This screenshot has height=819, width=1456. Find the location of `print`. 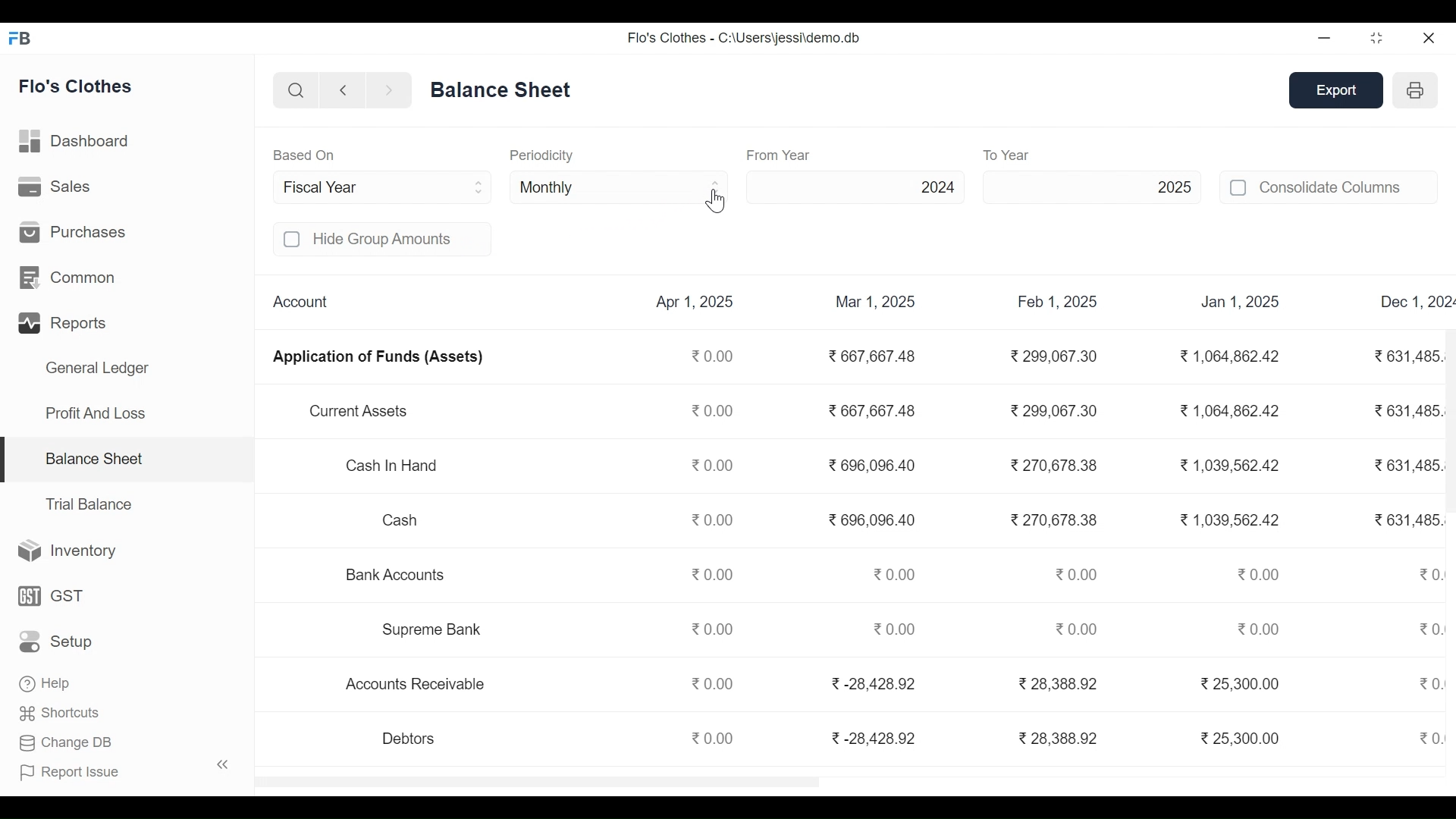

print is located at coordinates (1417, 89).